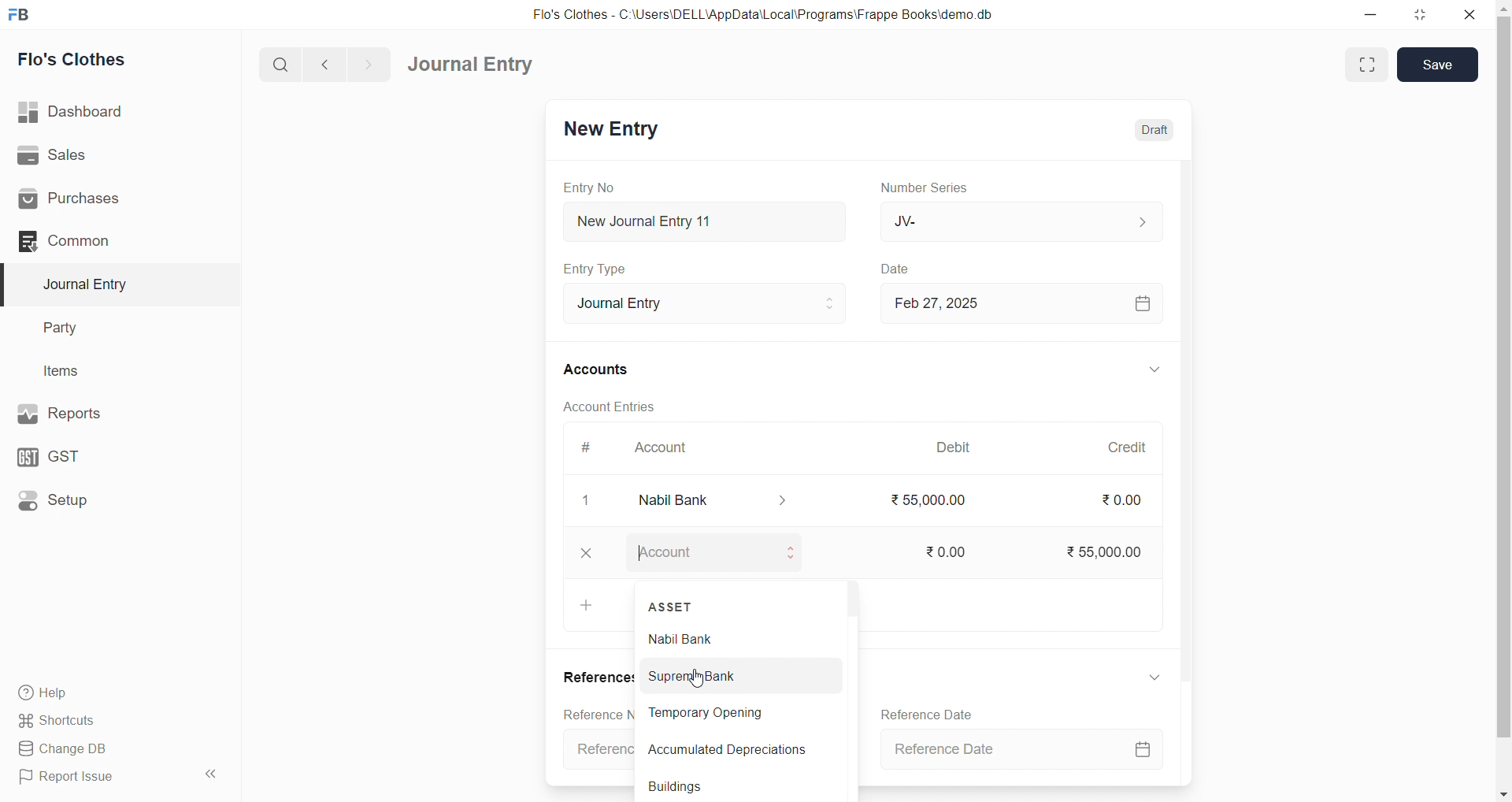 The height and width of the screenshot is (802, 1512). I want to click on Date, so click(908, 269).